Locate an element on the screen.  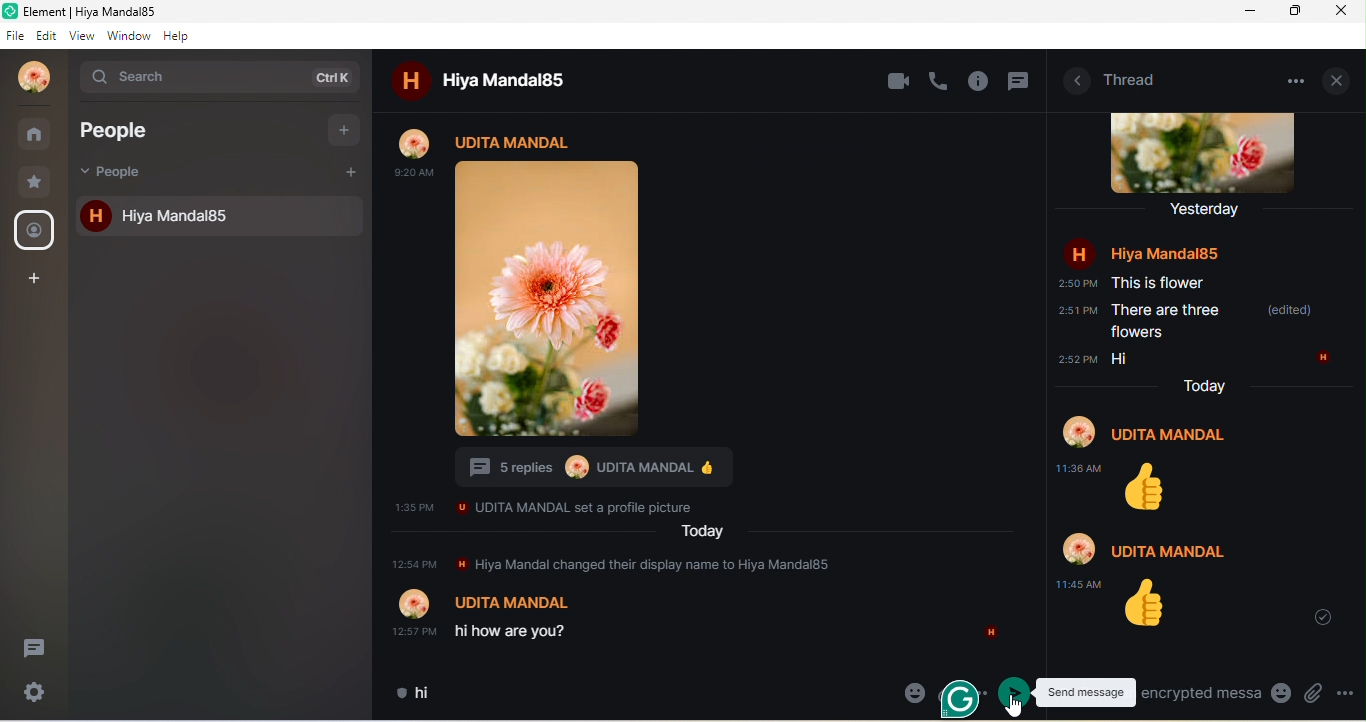
create a space is located at coordinates (35, 279).